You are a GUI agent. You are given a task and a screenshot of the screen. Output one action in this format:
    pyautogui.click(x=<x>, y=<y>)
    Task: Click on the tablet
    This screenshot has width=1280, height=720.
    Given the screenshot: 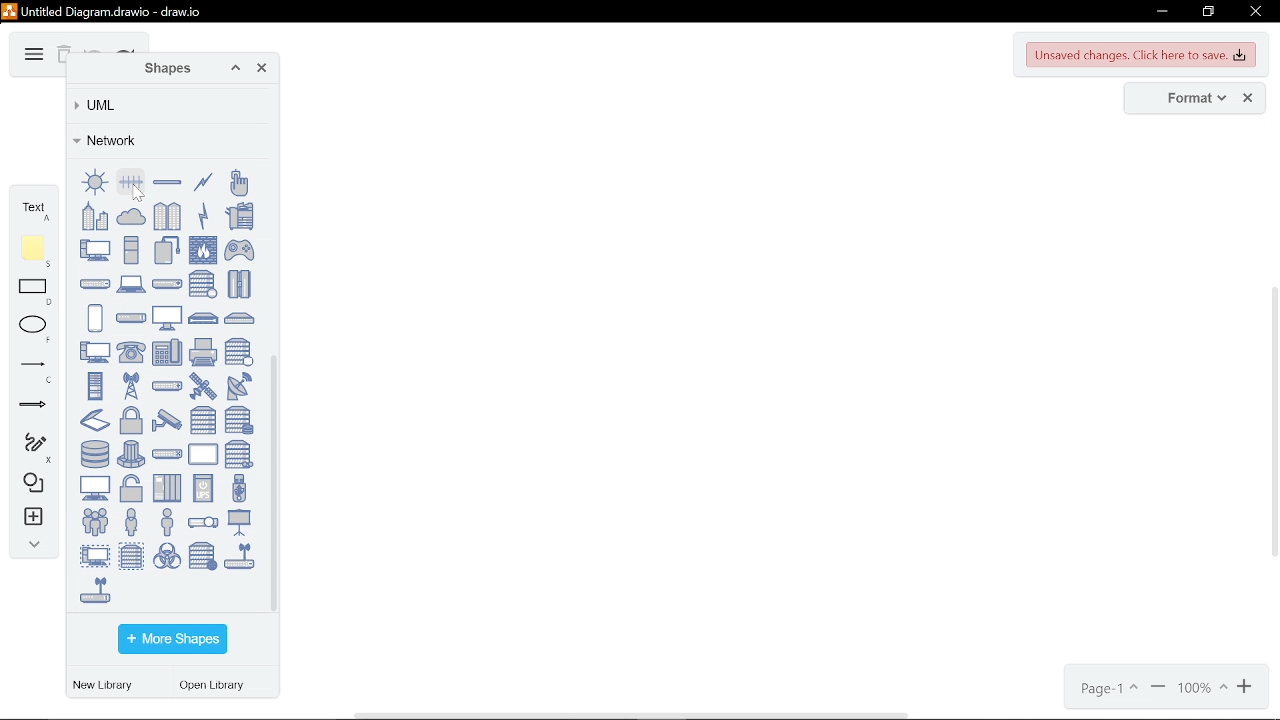 What is the action you would take?
    pyautogui.click(x=203, y=454)
    